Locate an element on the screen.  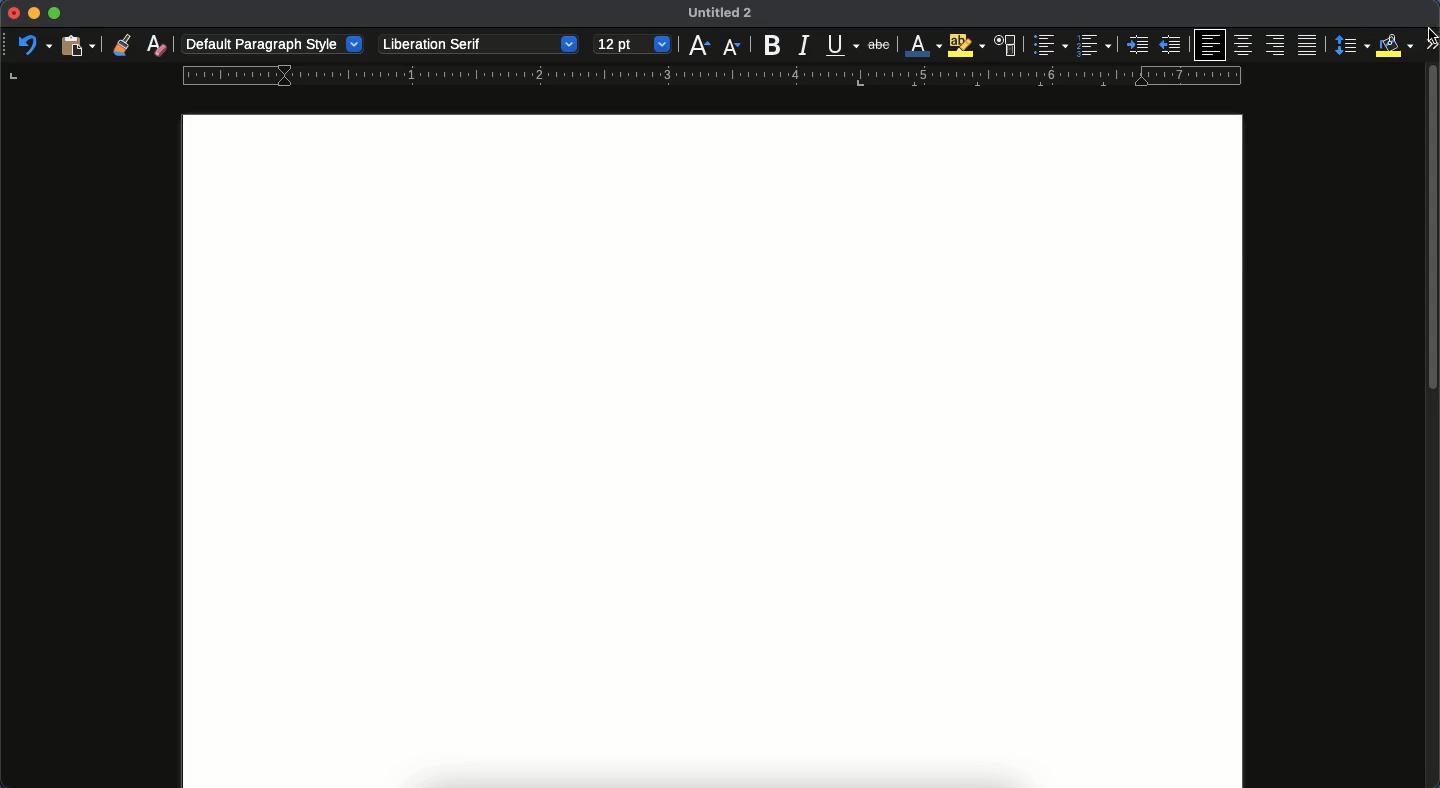
undo is located at coordinates (33, 43).